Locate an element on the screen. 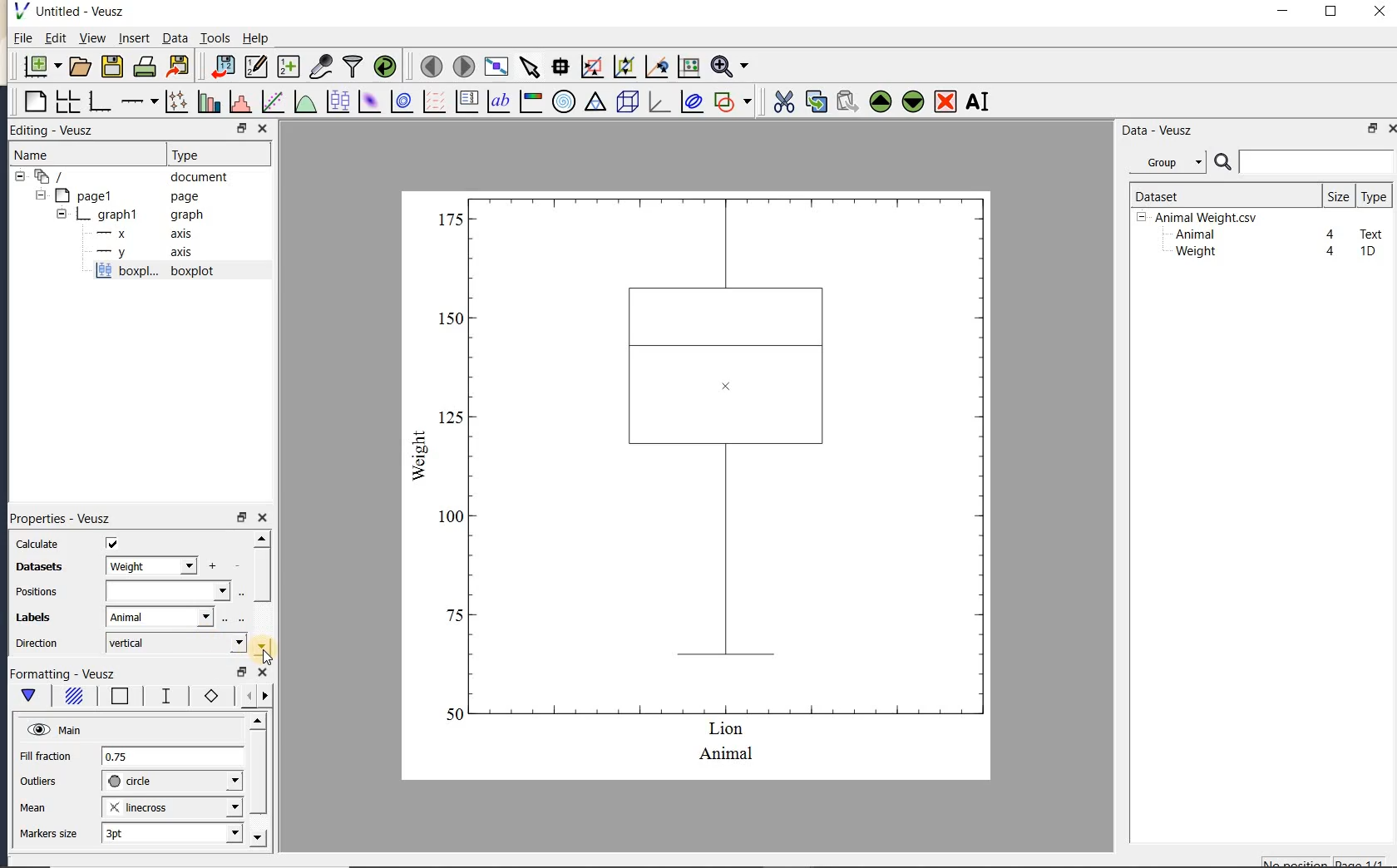 Image resolution: width=1397 pixels, height=868 pixels. click to recenter graph axes is located at coordinates (657, 67).